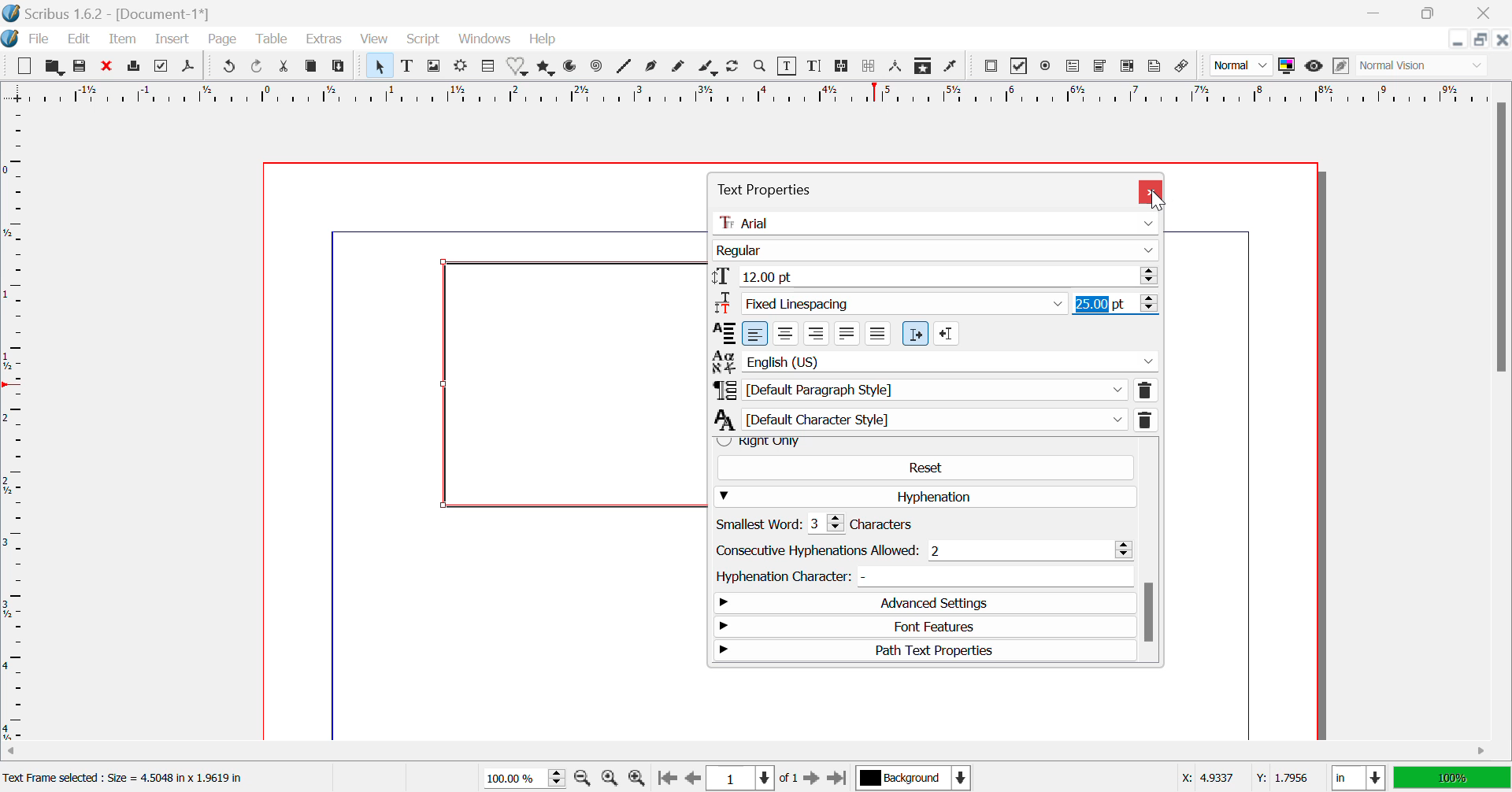 The height and width of the screenshot is (792, 1512). What do you see at coordinates (11, 39) in the screenshot?
I see `Scribus Logo` at bounding box center [11, 39].